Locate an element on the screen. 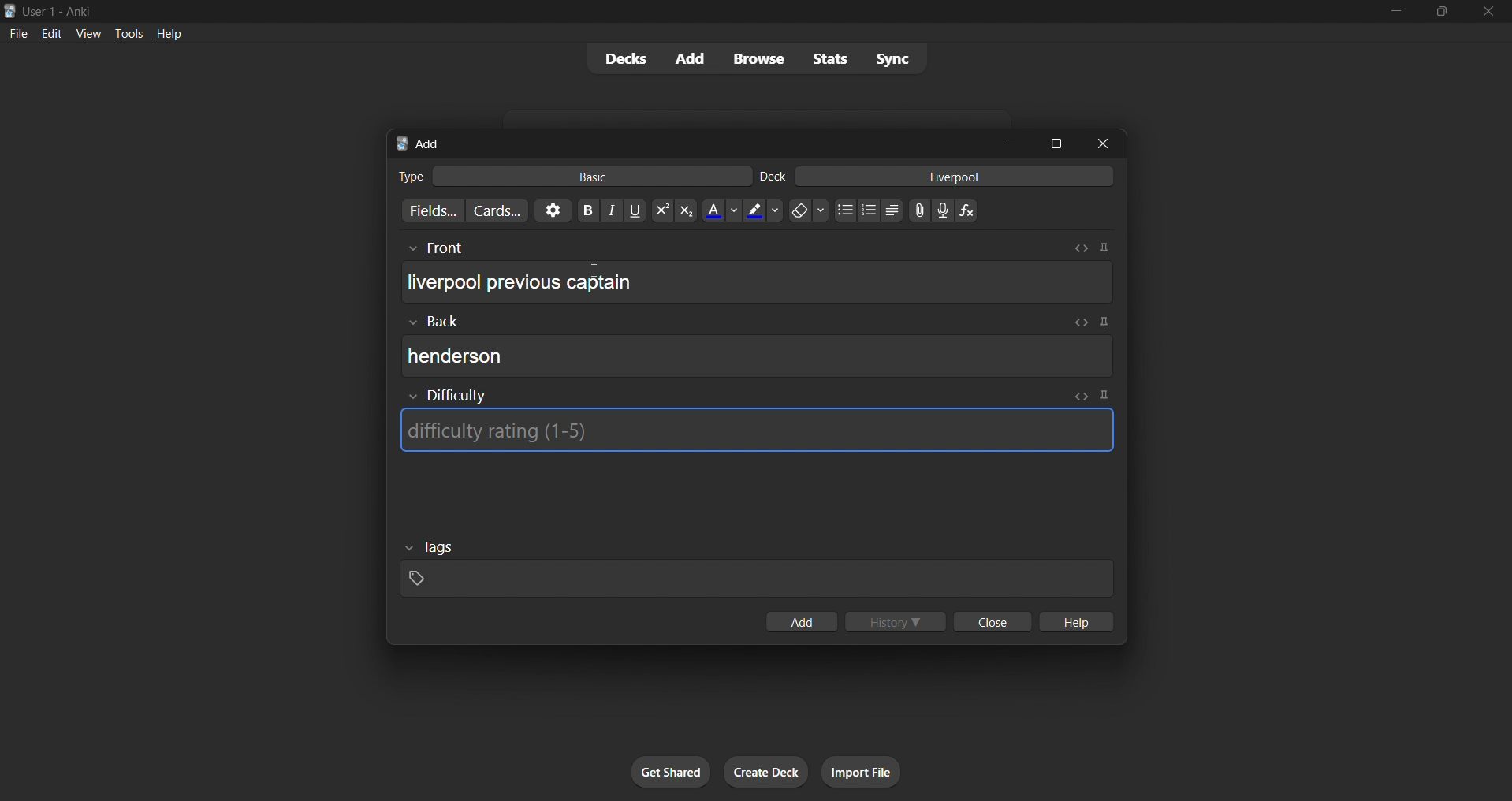 This screenshot has width=1512, height=801. Bold is located at coordinates (587, 209).